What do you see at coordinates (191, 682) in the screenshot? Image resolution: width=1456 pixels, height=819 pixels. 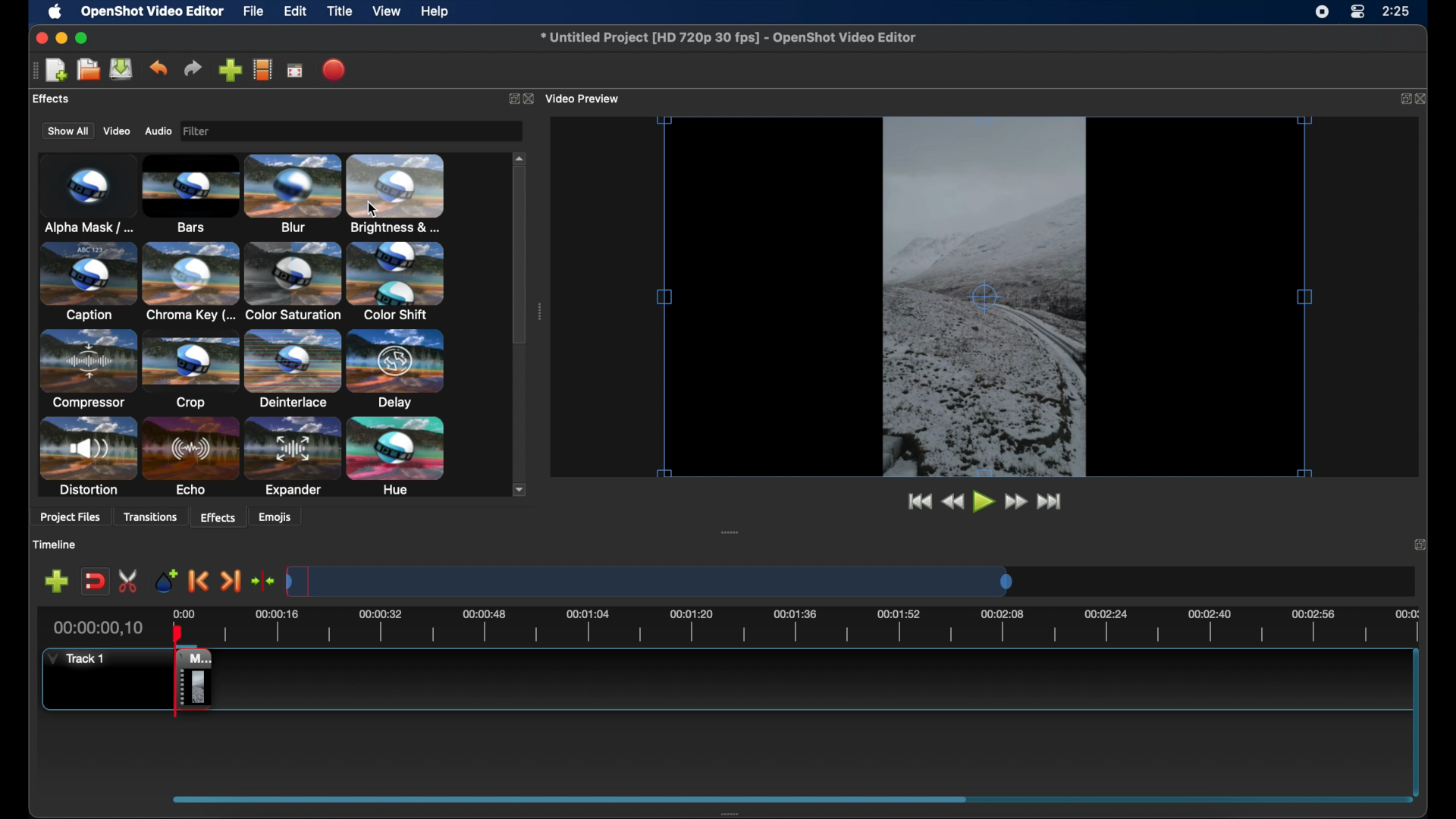 I see `track` at bounding box center [191, 682].